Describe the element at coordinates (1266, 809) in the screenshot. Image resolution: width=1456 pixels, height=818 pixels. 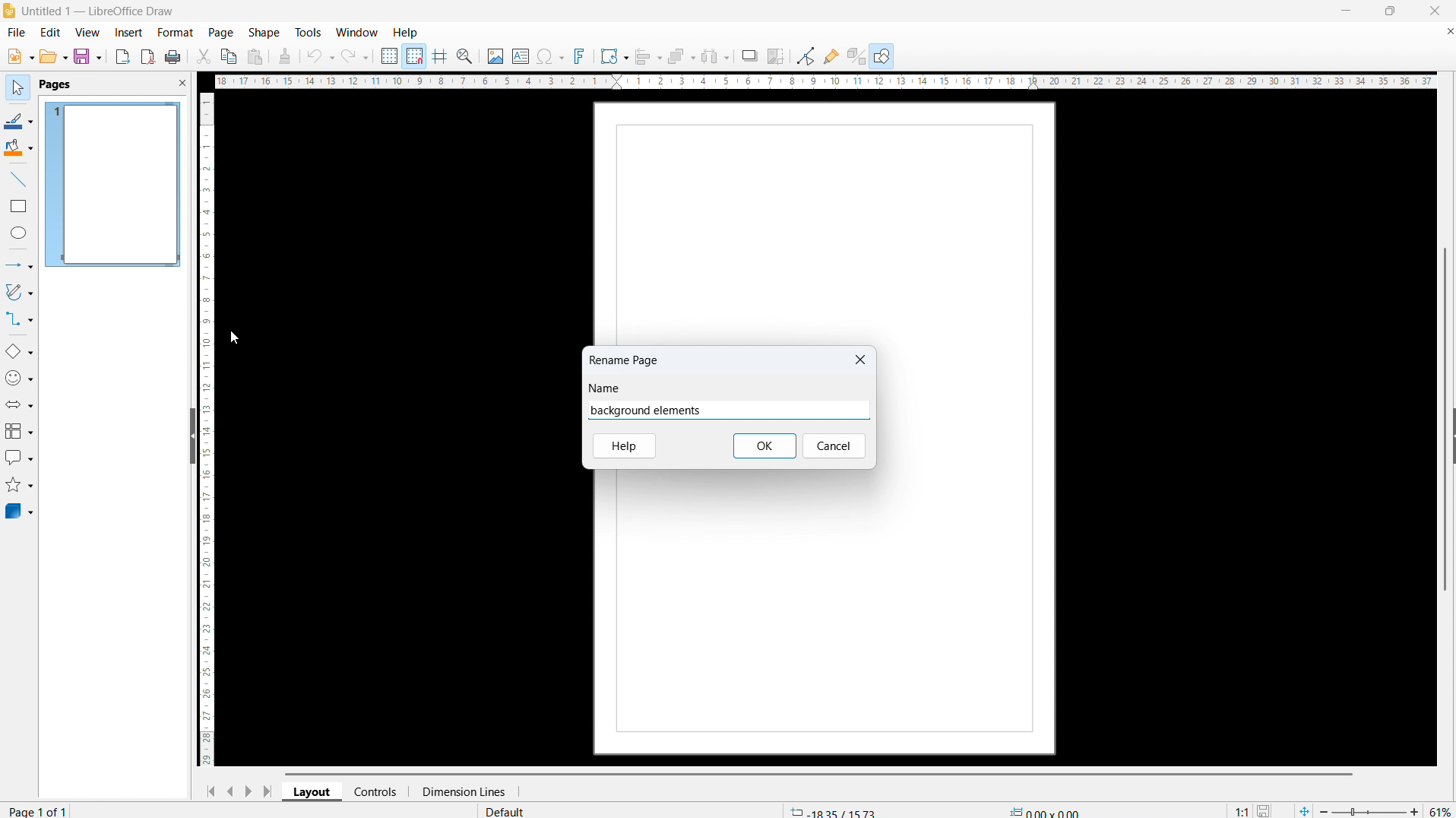
I see `save` at that location.